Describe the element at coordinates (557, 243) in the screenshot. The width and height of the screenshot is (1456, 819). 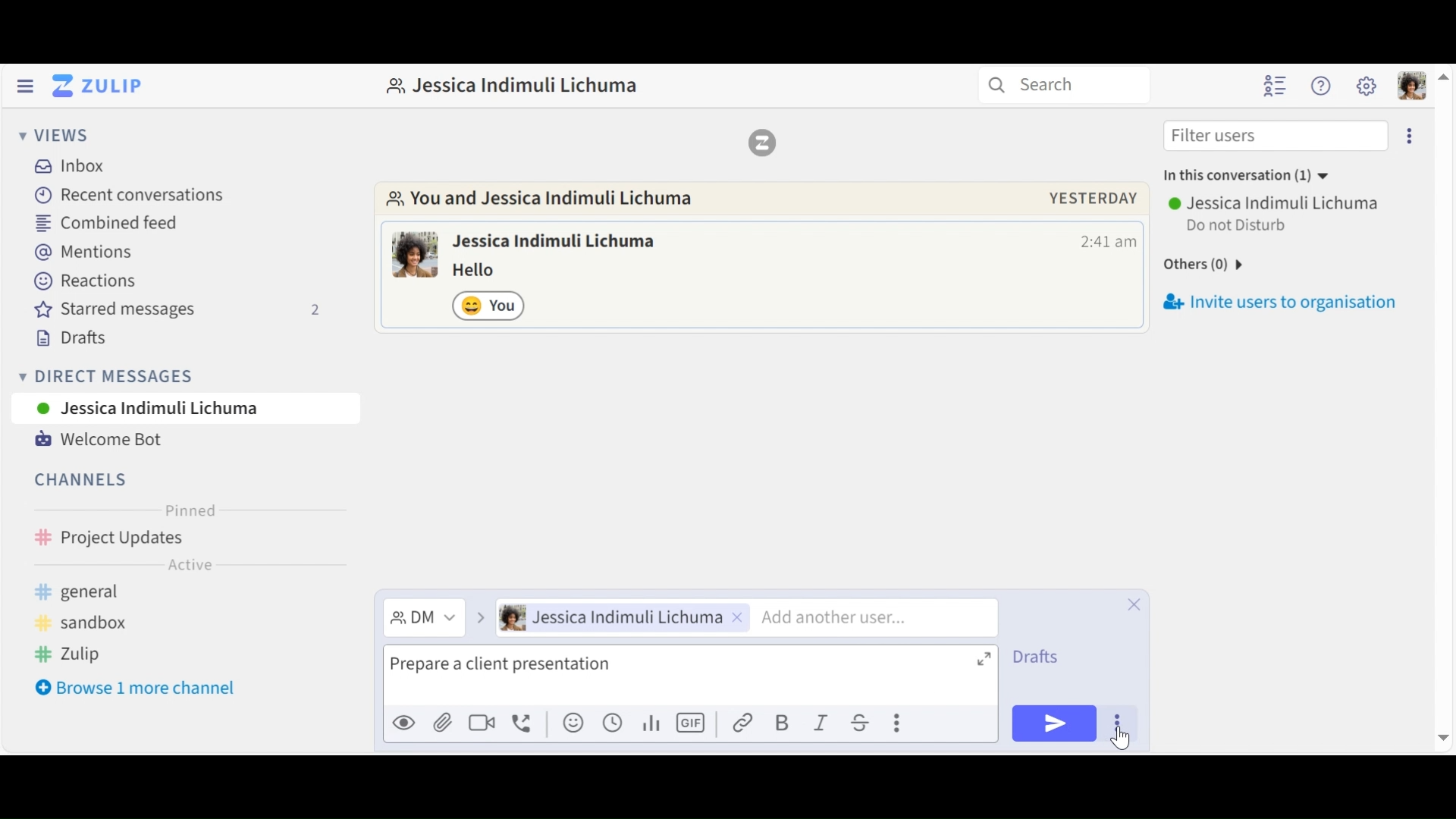
I see `View user card` at that location.